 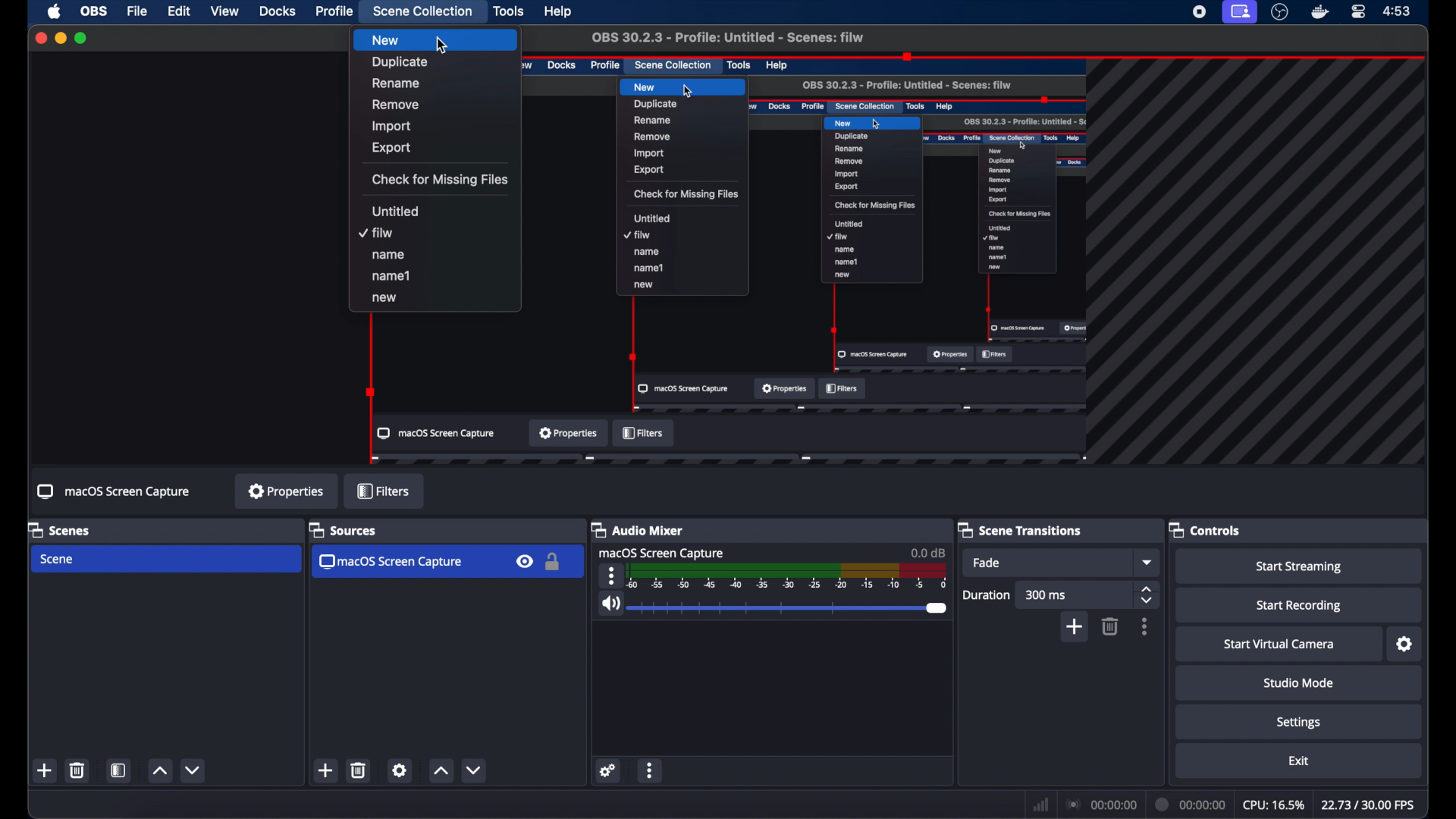 What do you see at coordinates (1147, 562) in the screenshot?
I see `fade dropdown` at bounding box center [1147, 562].